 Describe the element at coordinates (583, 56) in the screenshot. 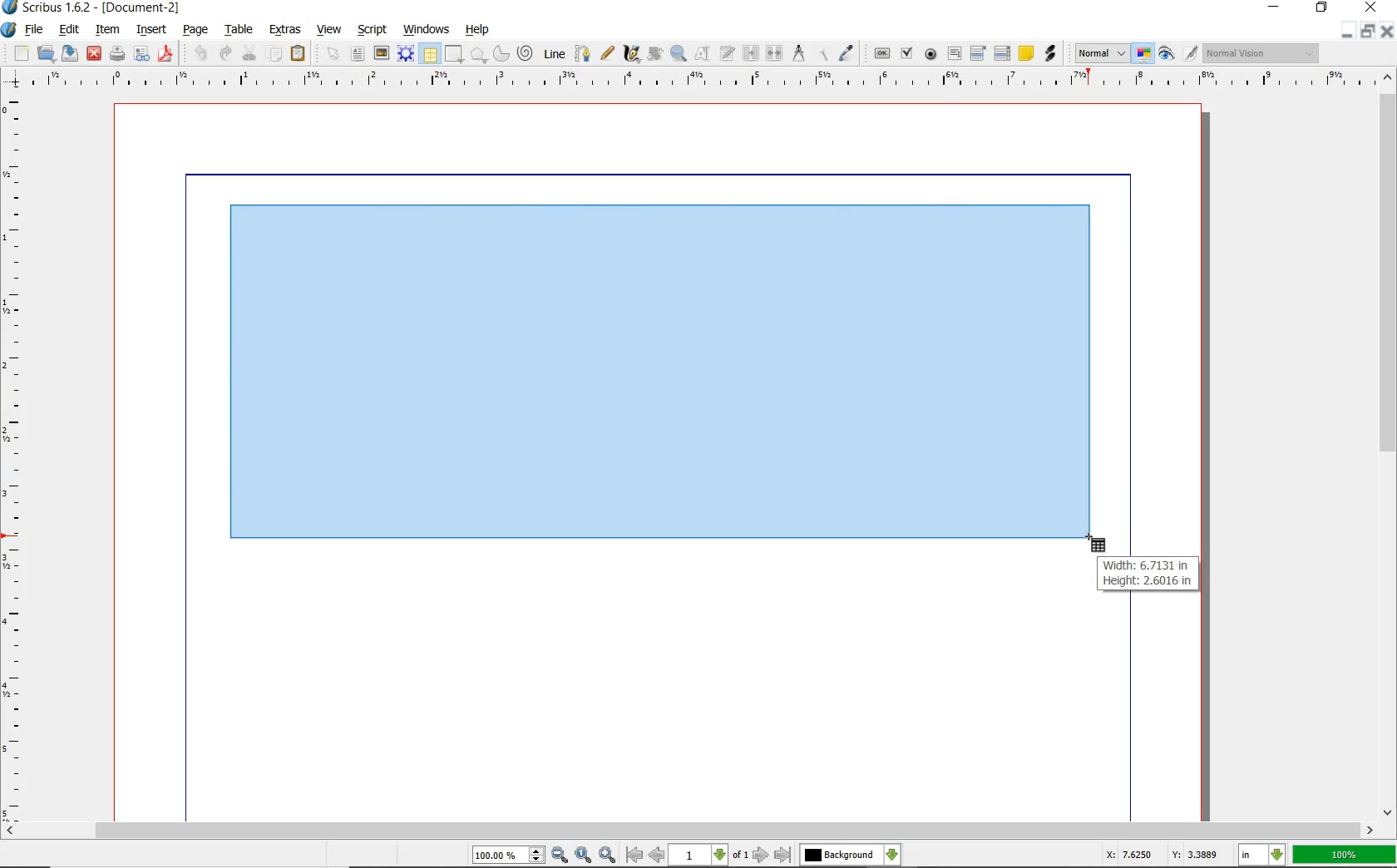

I see `bezier curve` at that location.